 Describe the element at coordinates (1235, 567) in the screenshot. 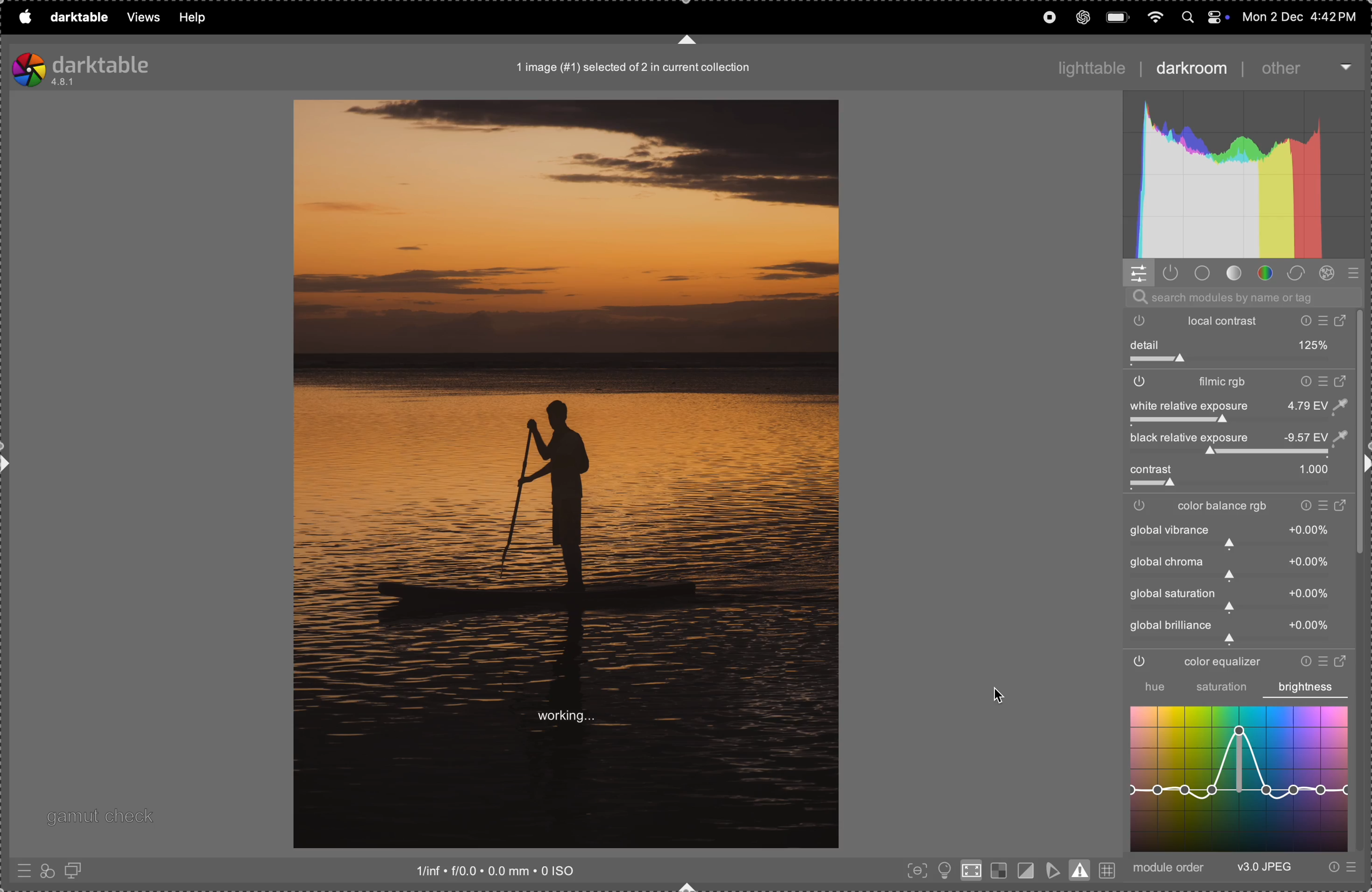

I see `global variance` at that location.